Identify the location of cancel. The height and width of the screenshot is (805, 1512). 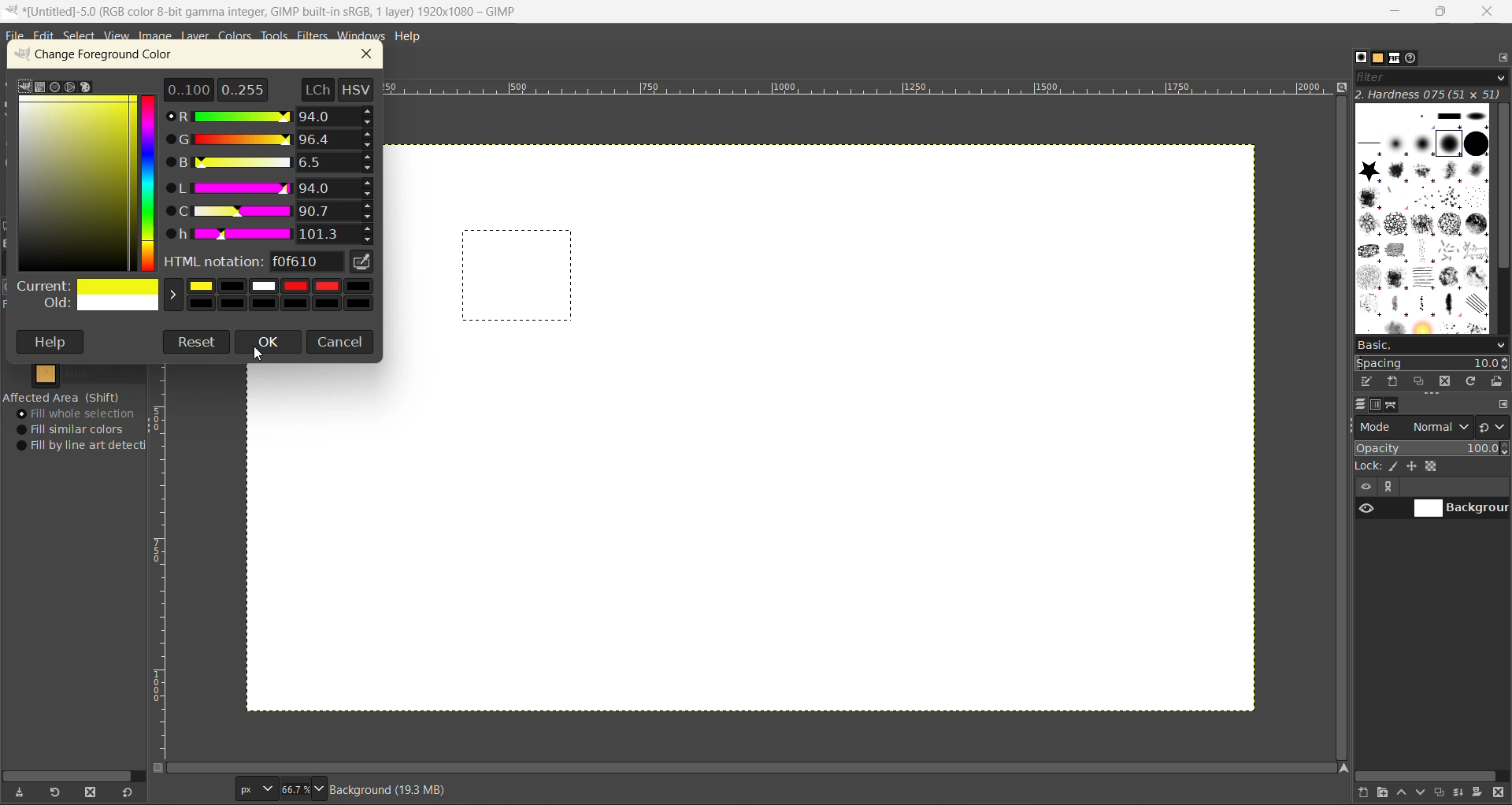
(343, 342).